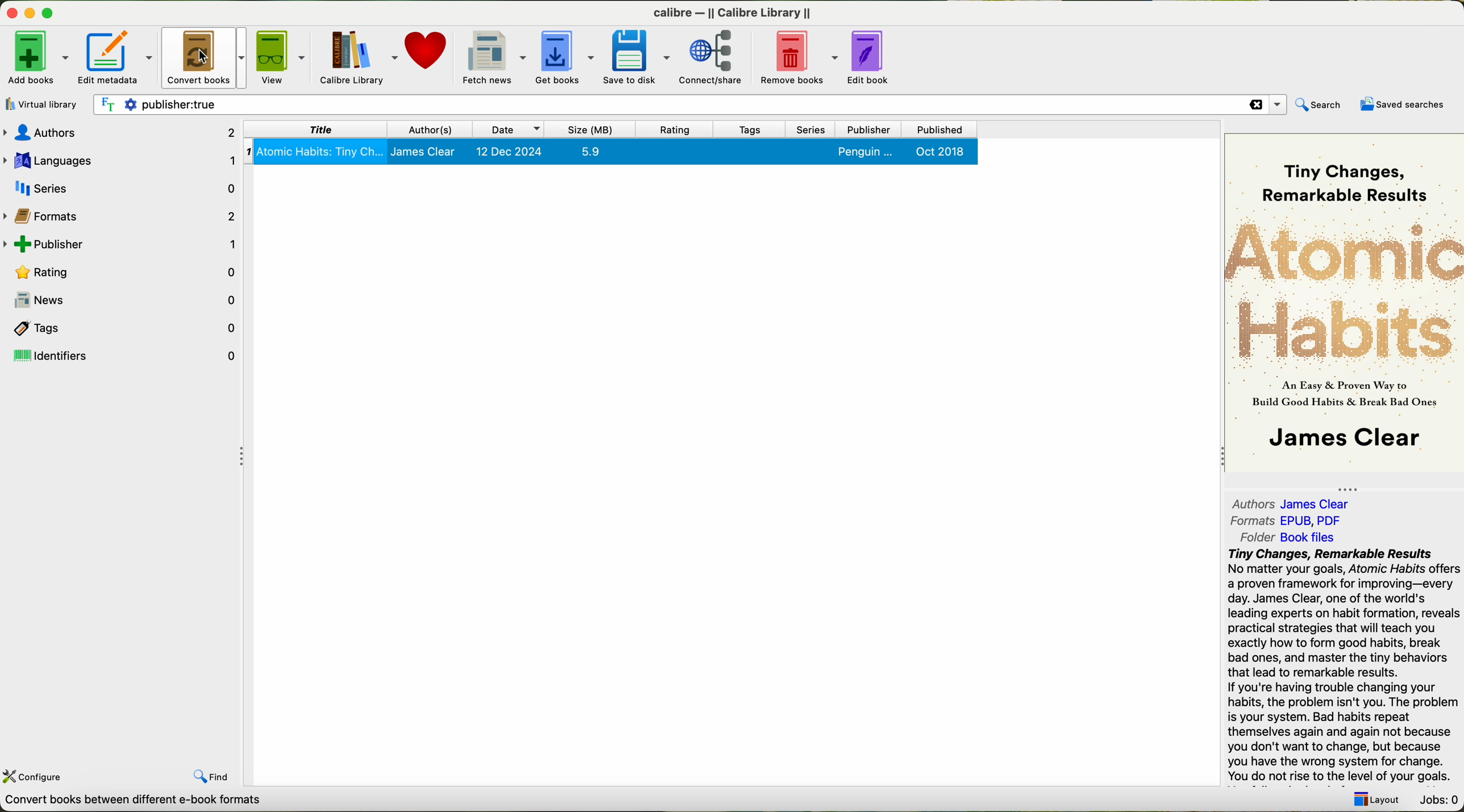 The height and width of the screenshot is (812, 1464). What do you see at coordinates (126, 355) in the screenshot?
I see `identifiers` at bounding box center [126, 355].